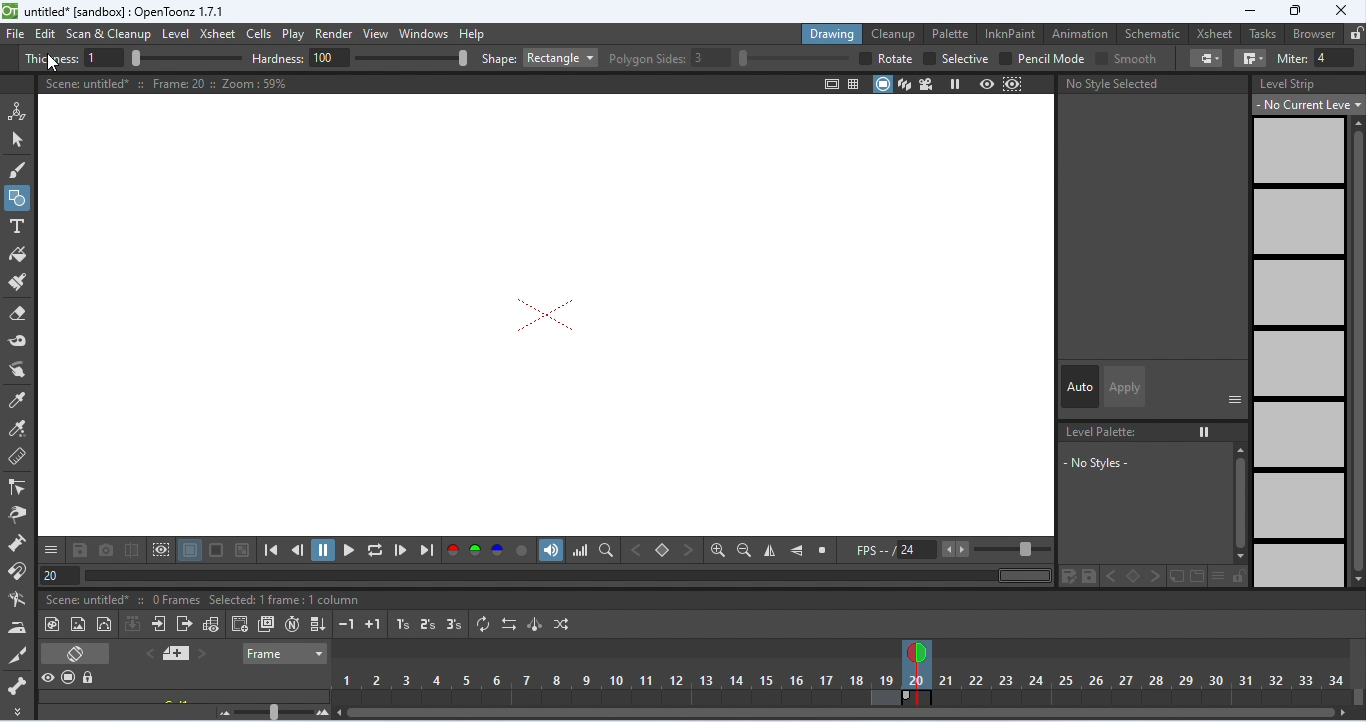 The image size is (1366, 722). What do you see at coordinates (1355, 31) in the screenshot?
I see `lock rooms tab` at bounding box center [1355, 31].